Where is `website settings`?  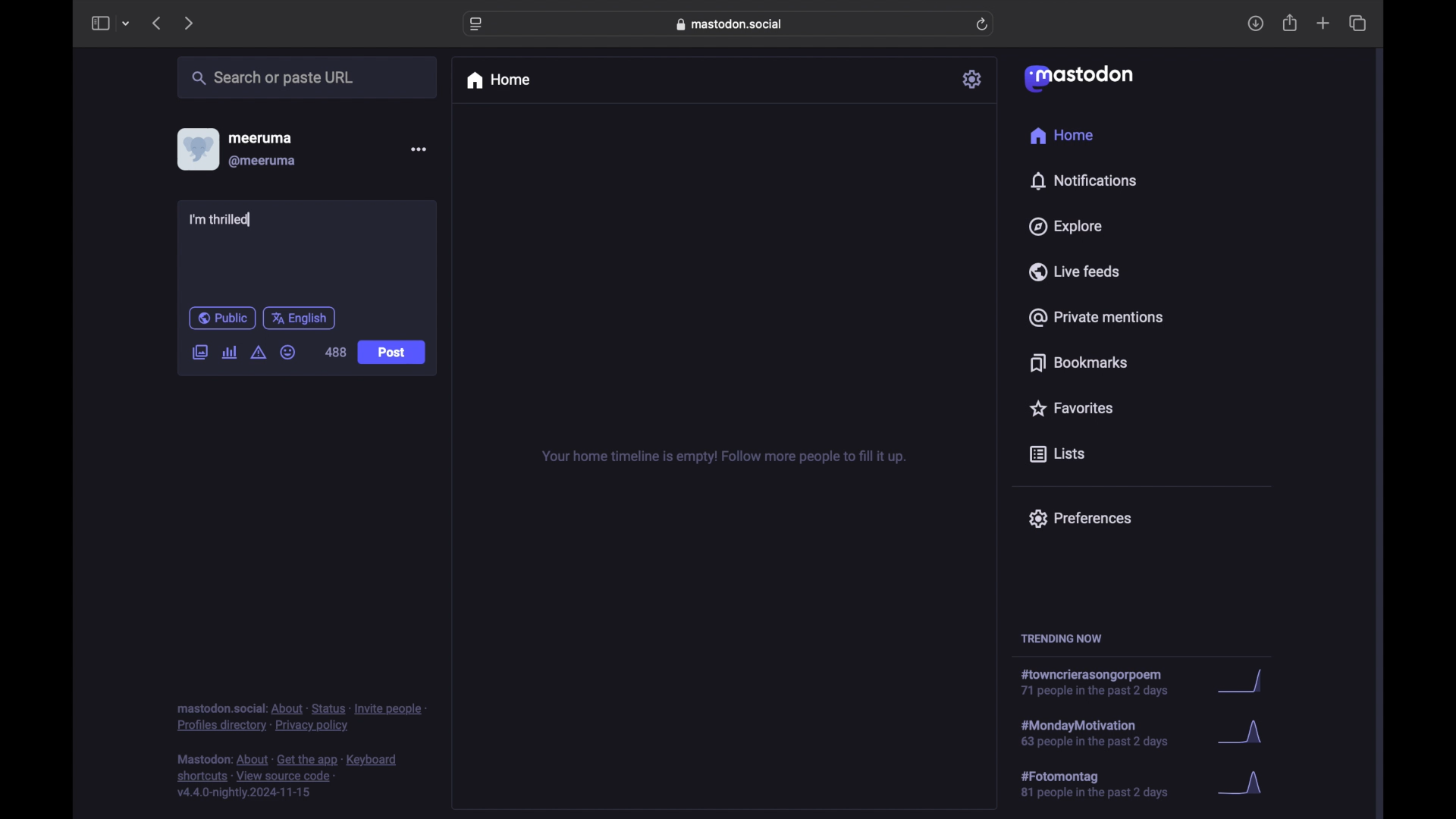 website settings is located at coordinates (476, 25).